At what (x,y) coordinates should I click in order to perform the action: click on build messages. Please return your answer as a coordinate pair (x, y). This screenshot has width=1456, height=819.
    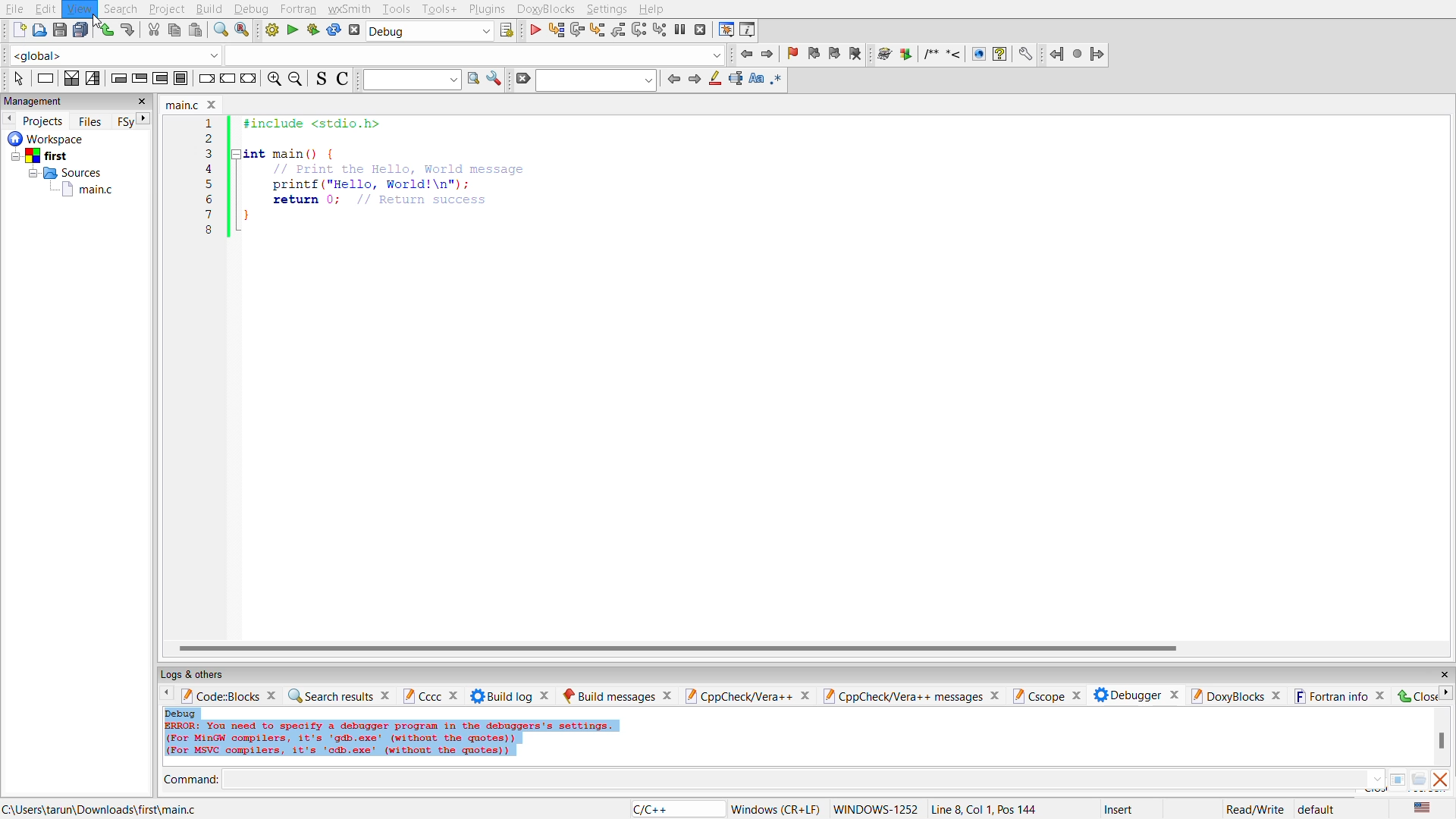
    Looking at the image, I should click on (617, 693).